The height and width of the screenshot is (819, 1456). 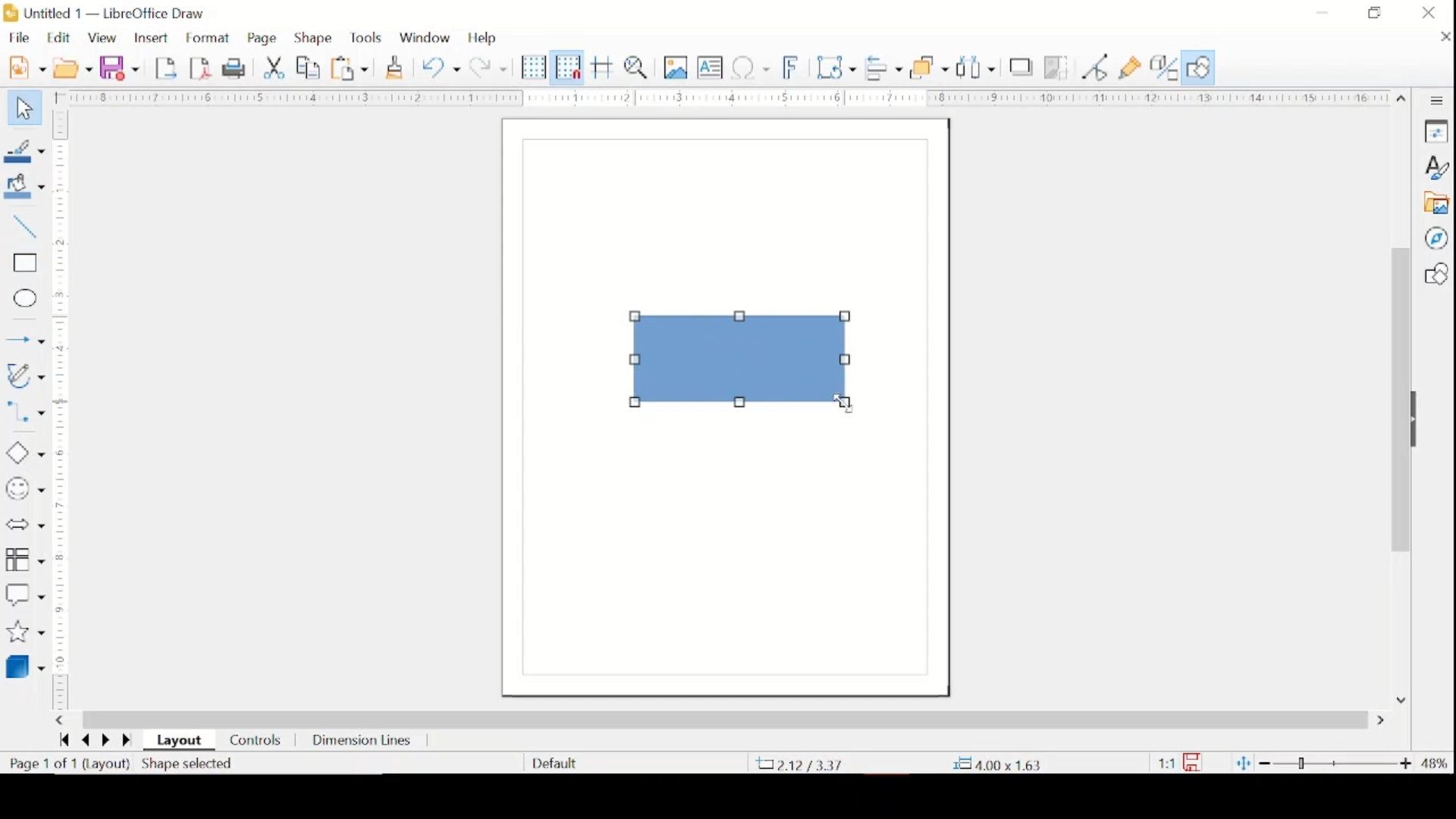 I want to click on default, so click(x=554, y=762).